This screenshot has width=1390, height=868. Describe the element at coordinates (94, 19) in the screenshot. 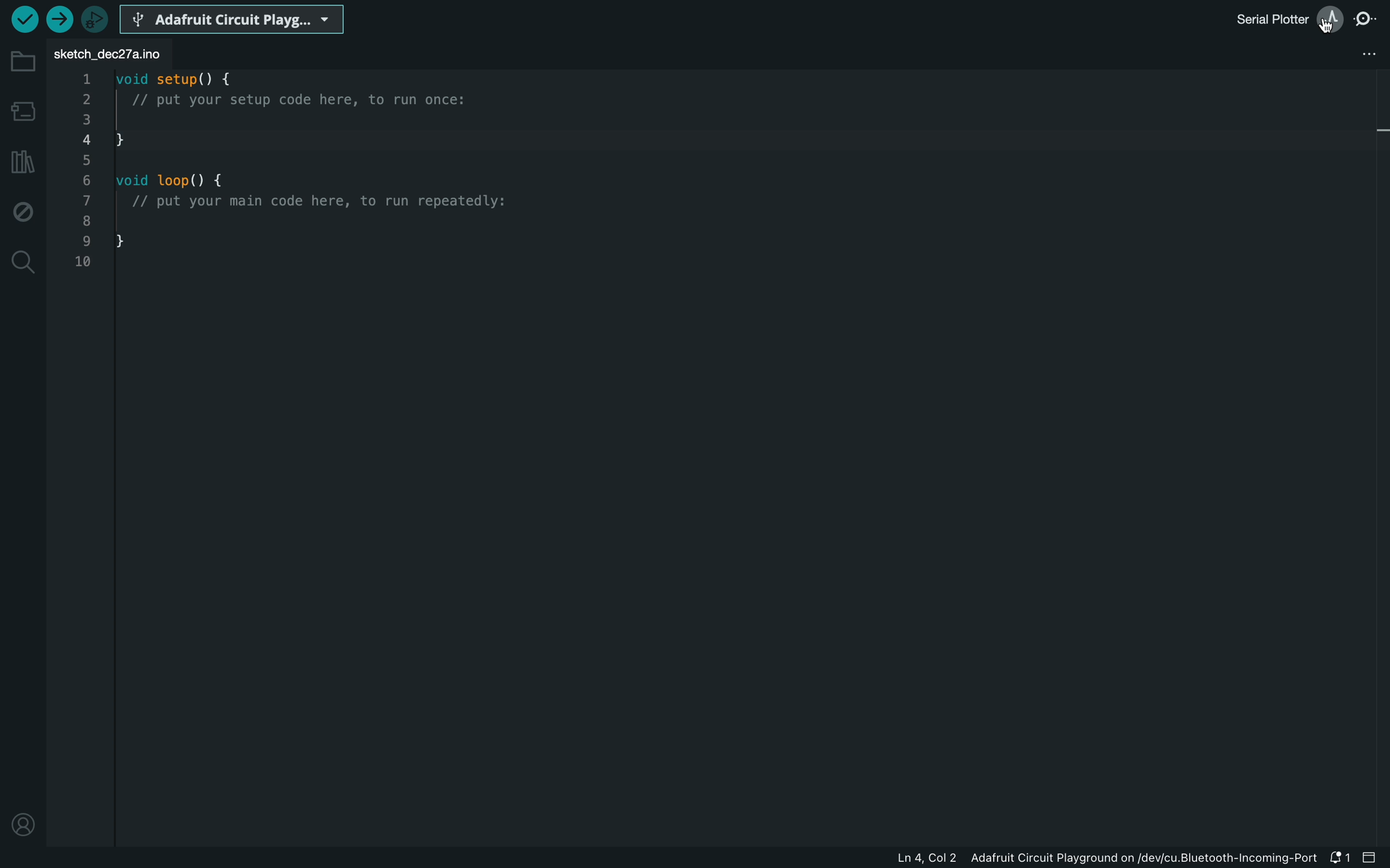

I see `debugger` at that location.